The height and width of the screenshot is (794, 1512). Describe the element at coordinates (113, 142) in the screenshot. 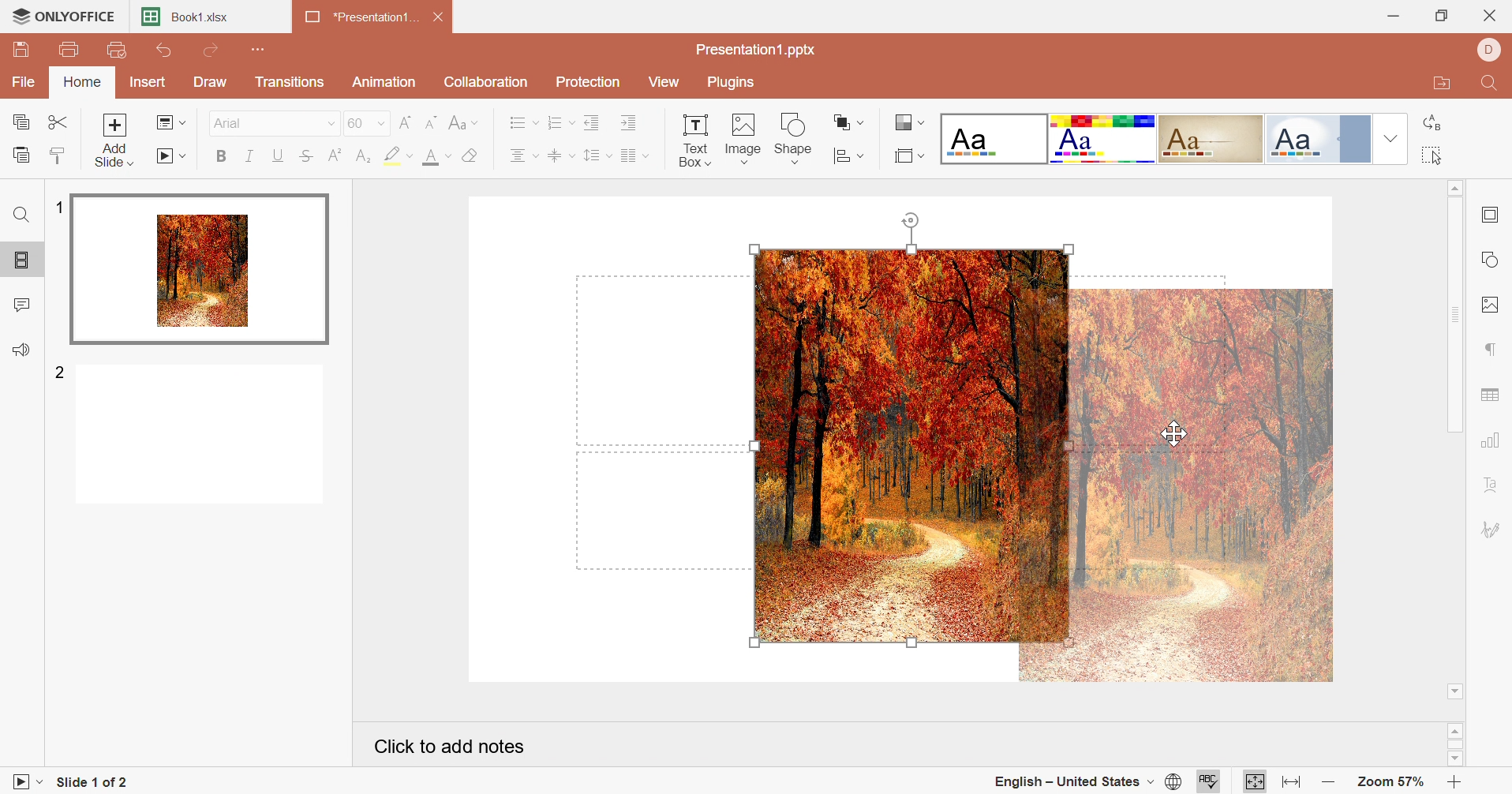

I see `Add slide` at that location.